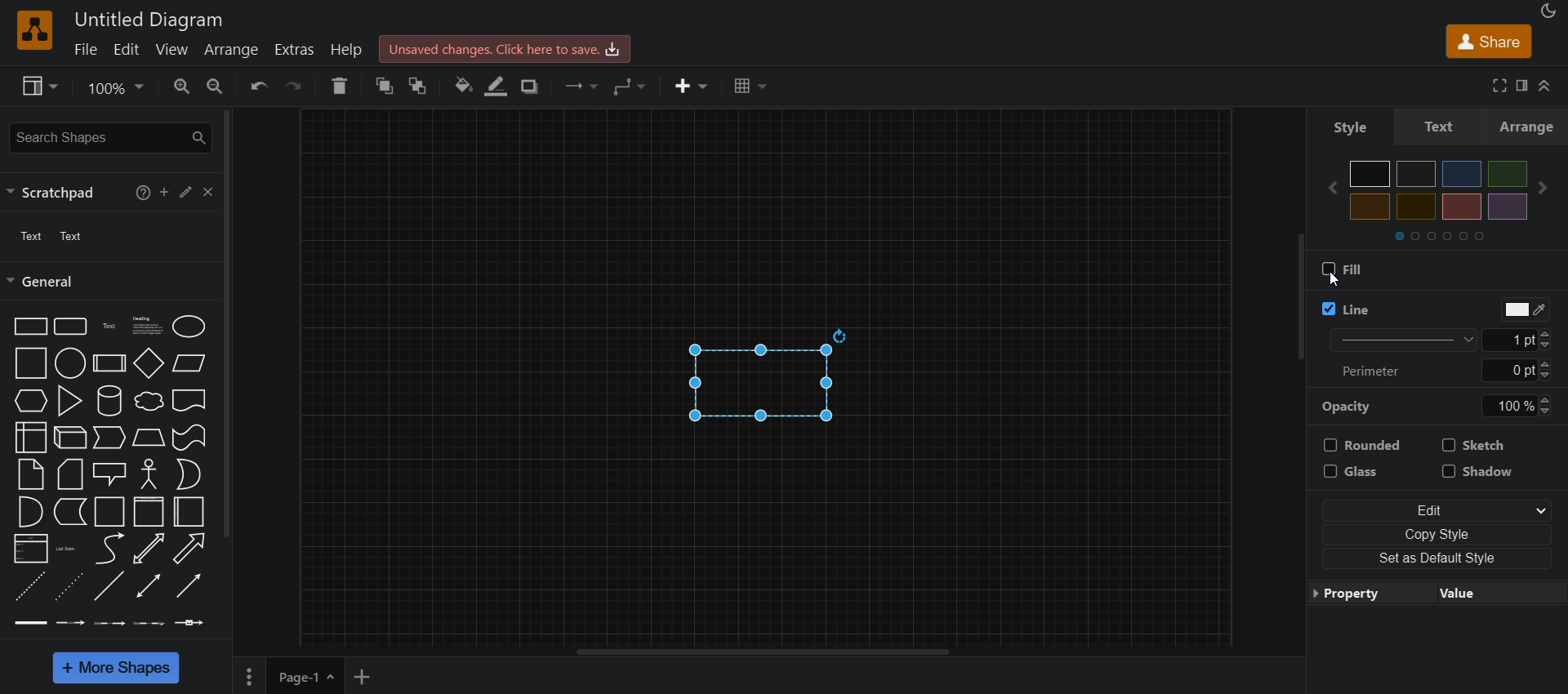 This screenshot has width=1568, height=694. Describe the element at coordinates (1370, 373) in the screenshot. I see `perimeter` at that location.